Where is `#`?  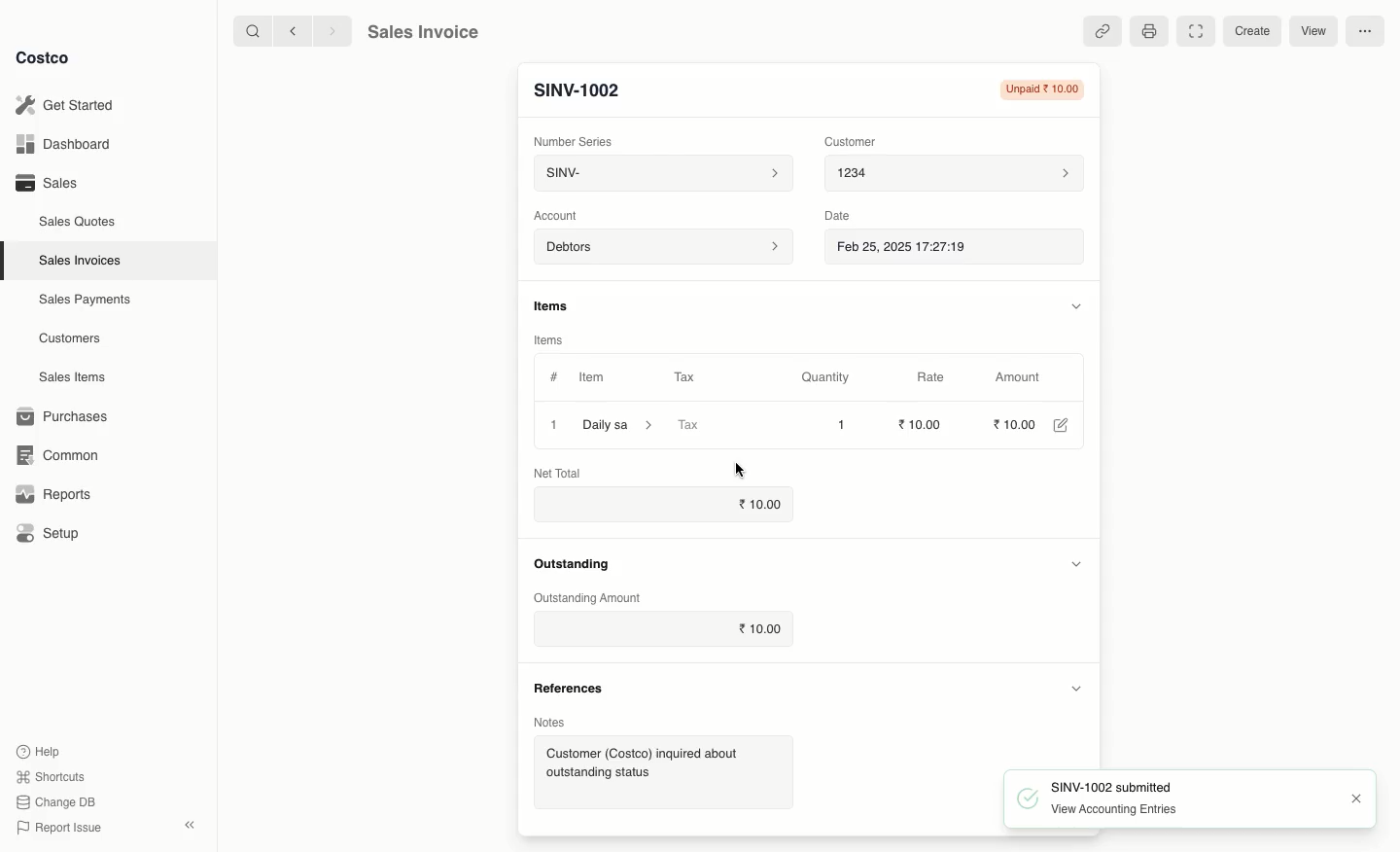 # is located at coordinates (554, 377).